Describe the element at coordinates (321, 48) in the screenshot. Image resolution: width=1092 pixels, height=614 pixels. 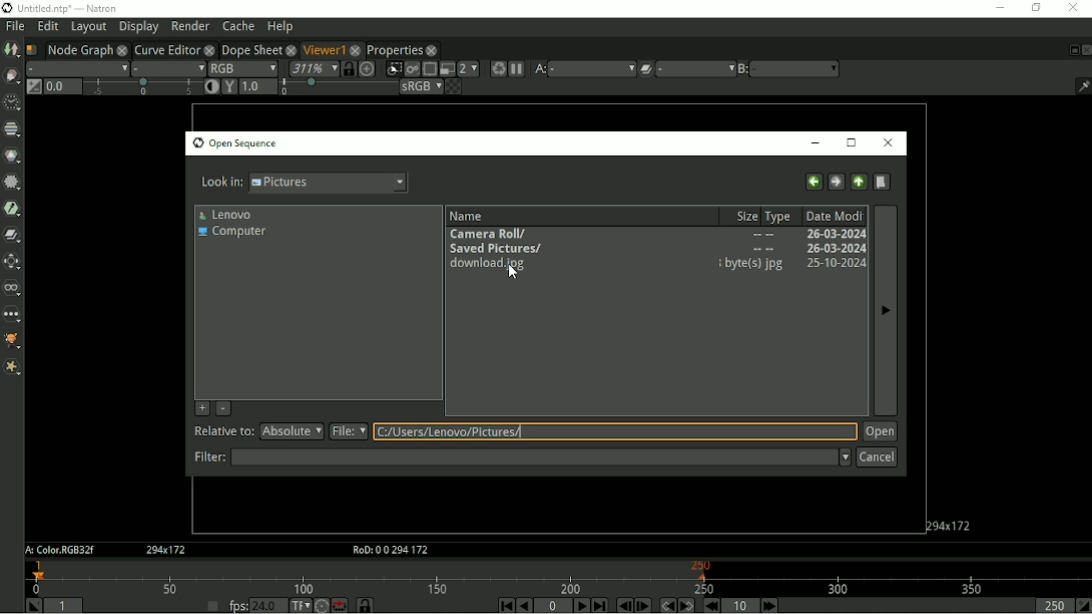
I see `Viewer` at that location.